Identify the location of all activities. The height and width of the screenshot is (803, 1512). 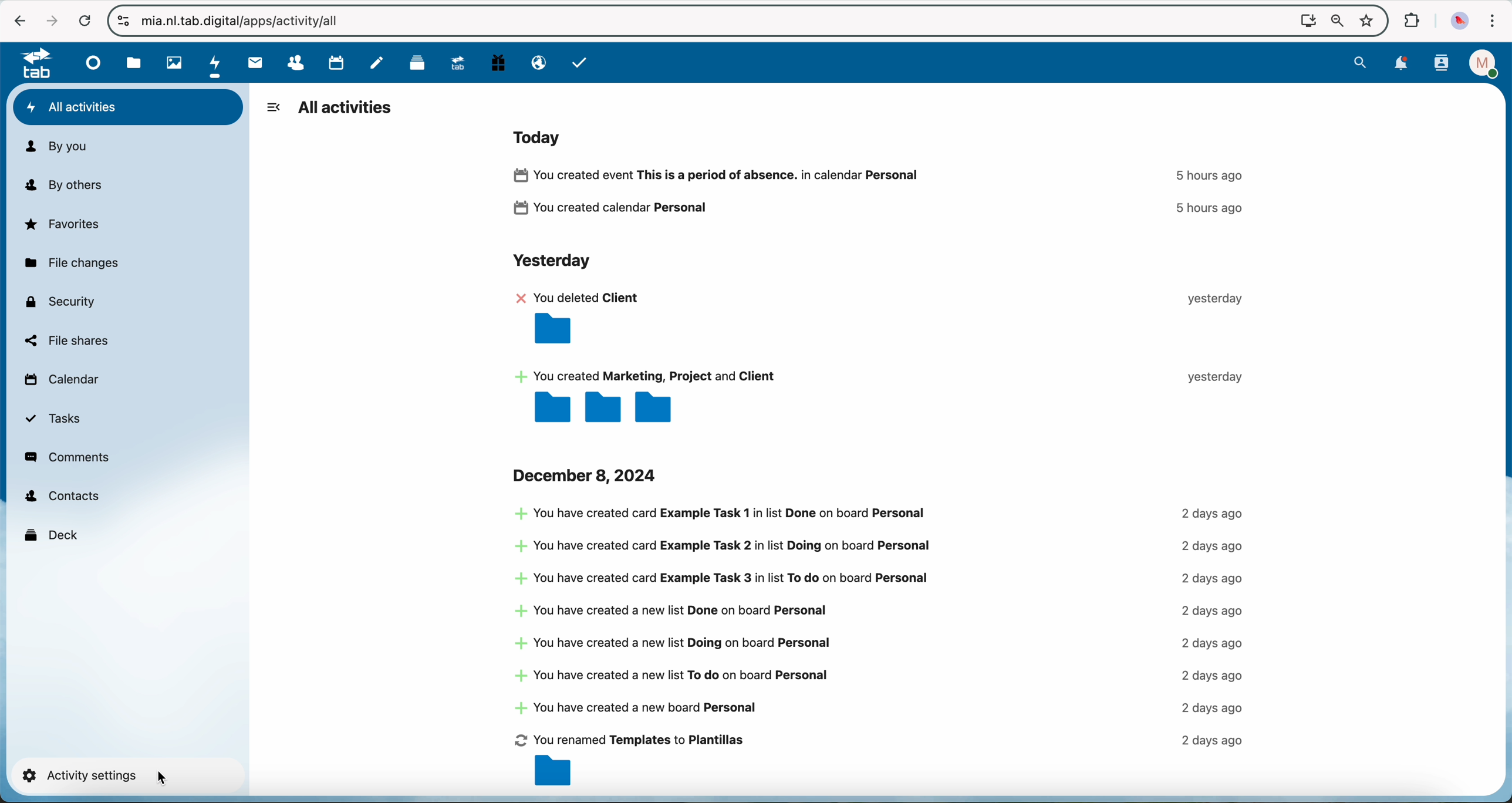
(129, 107).